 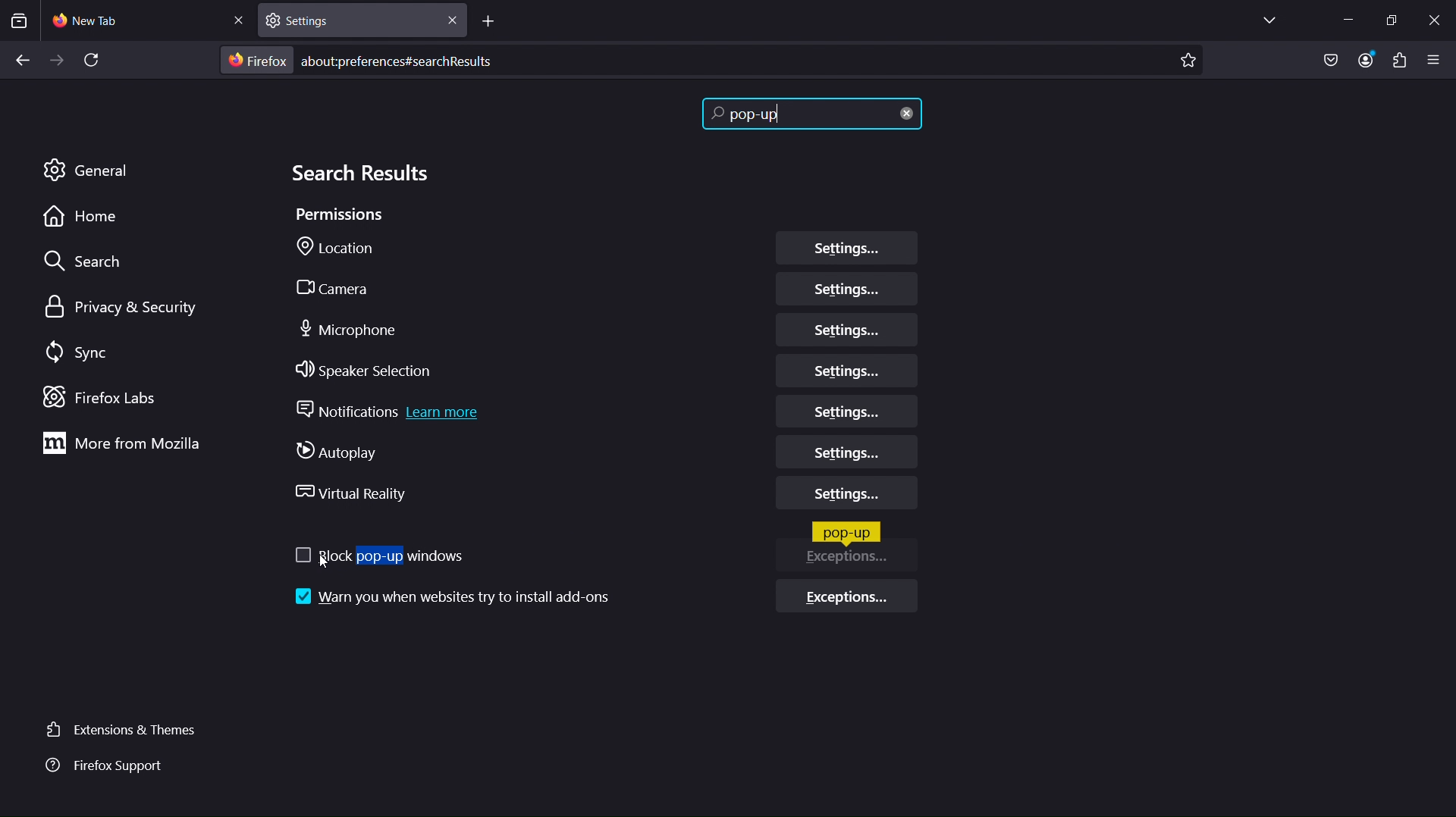 I want to click on General, so click(x=87, y=168).